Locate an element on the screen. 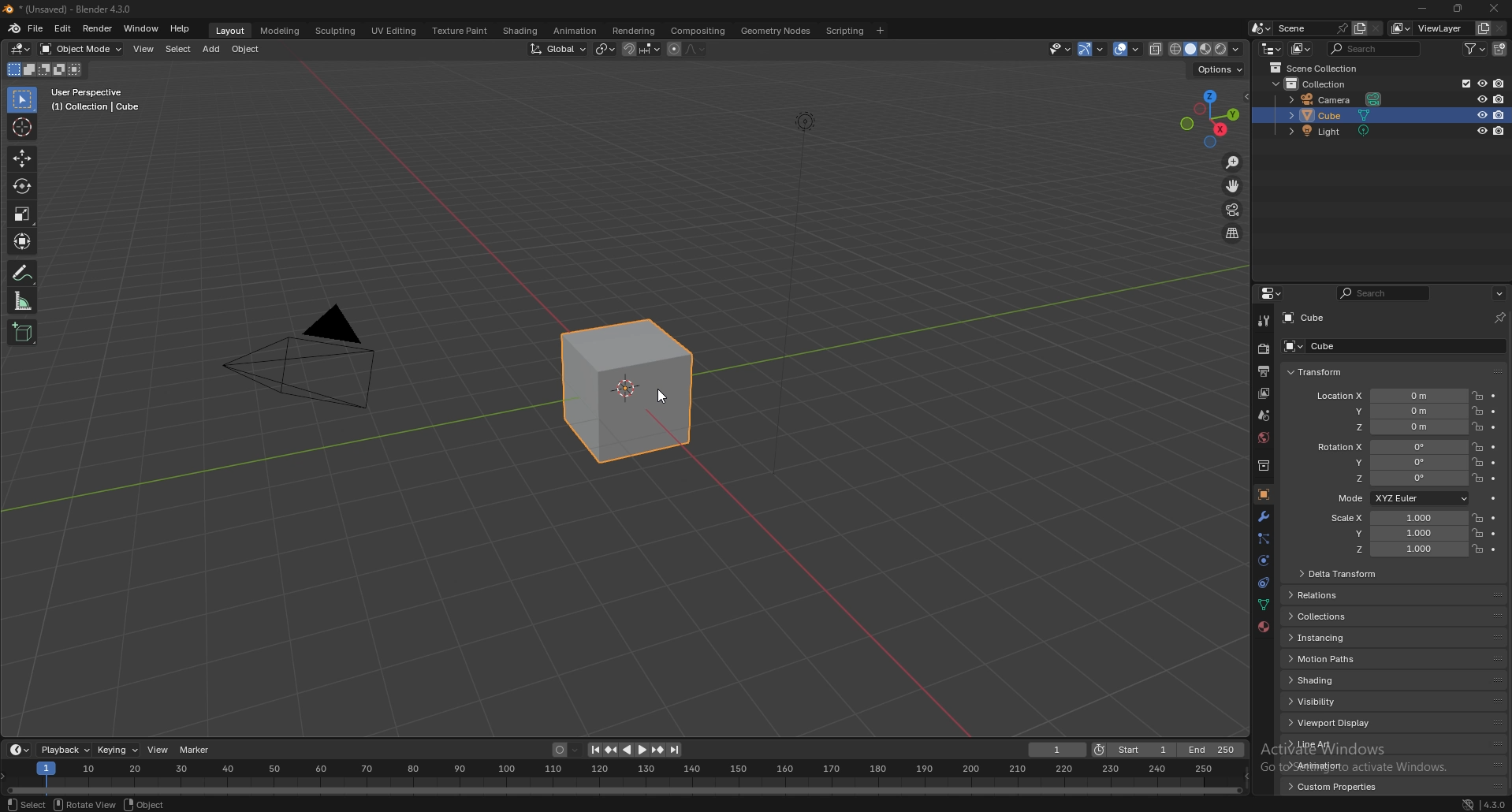 The height and width of the screenshot is (812, 1512). marker is located at coordinates (194, 750).